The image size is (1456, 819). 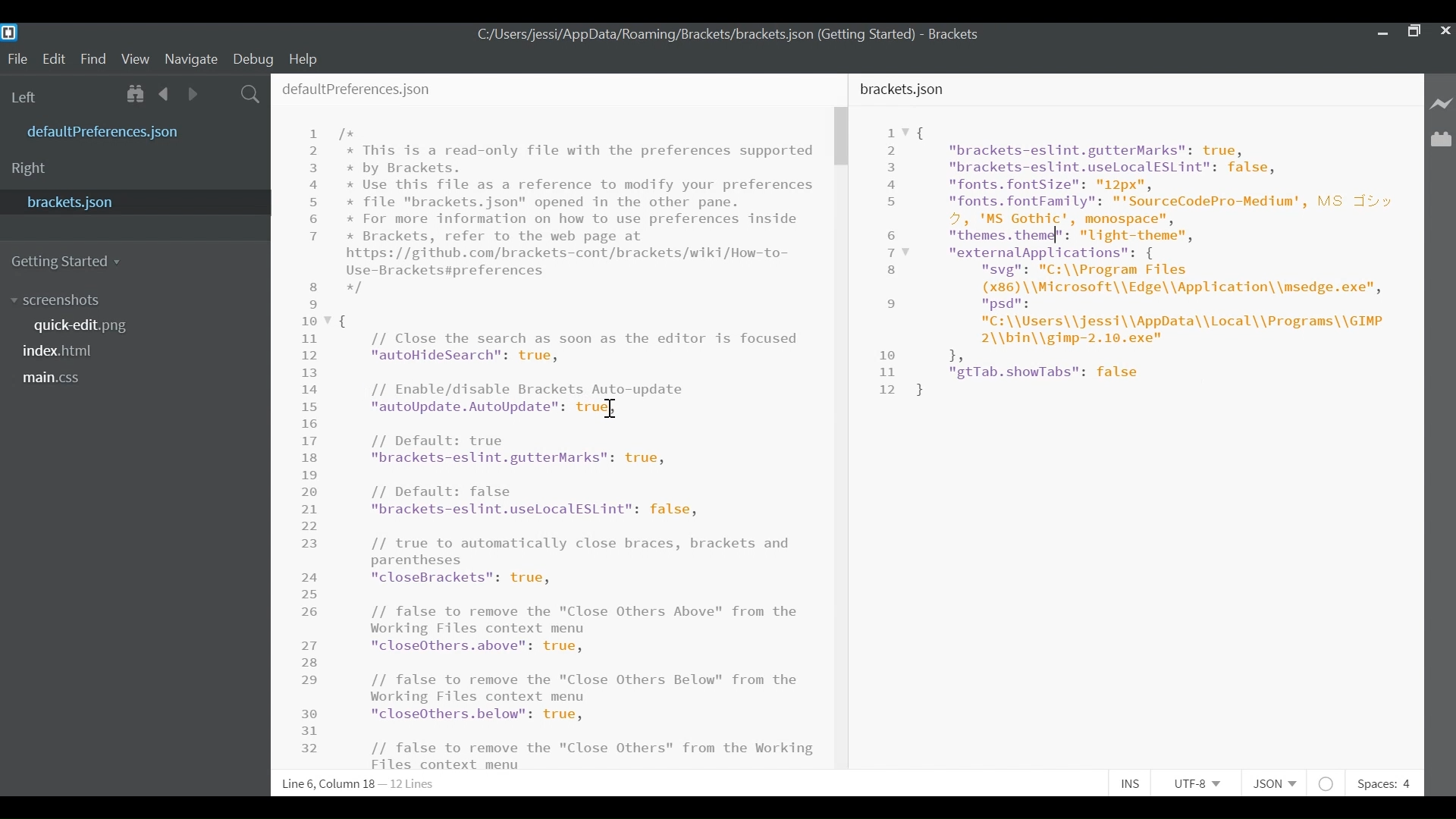 What do you see at coordinates (26, 97) in the screenshot?
I see `Left` at bounding box center [26, 97].